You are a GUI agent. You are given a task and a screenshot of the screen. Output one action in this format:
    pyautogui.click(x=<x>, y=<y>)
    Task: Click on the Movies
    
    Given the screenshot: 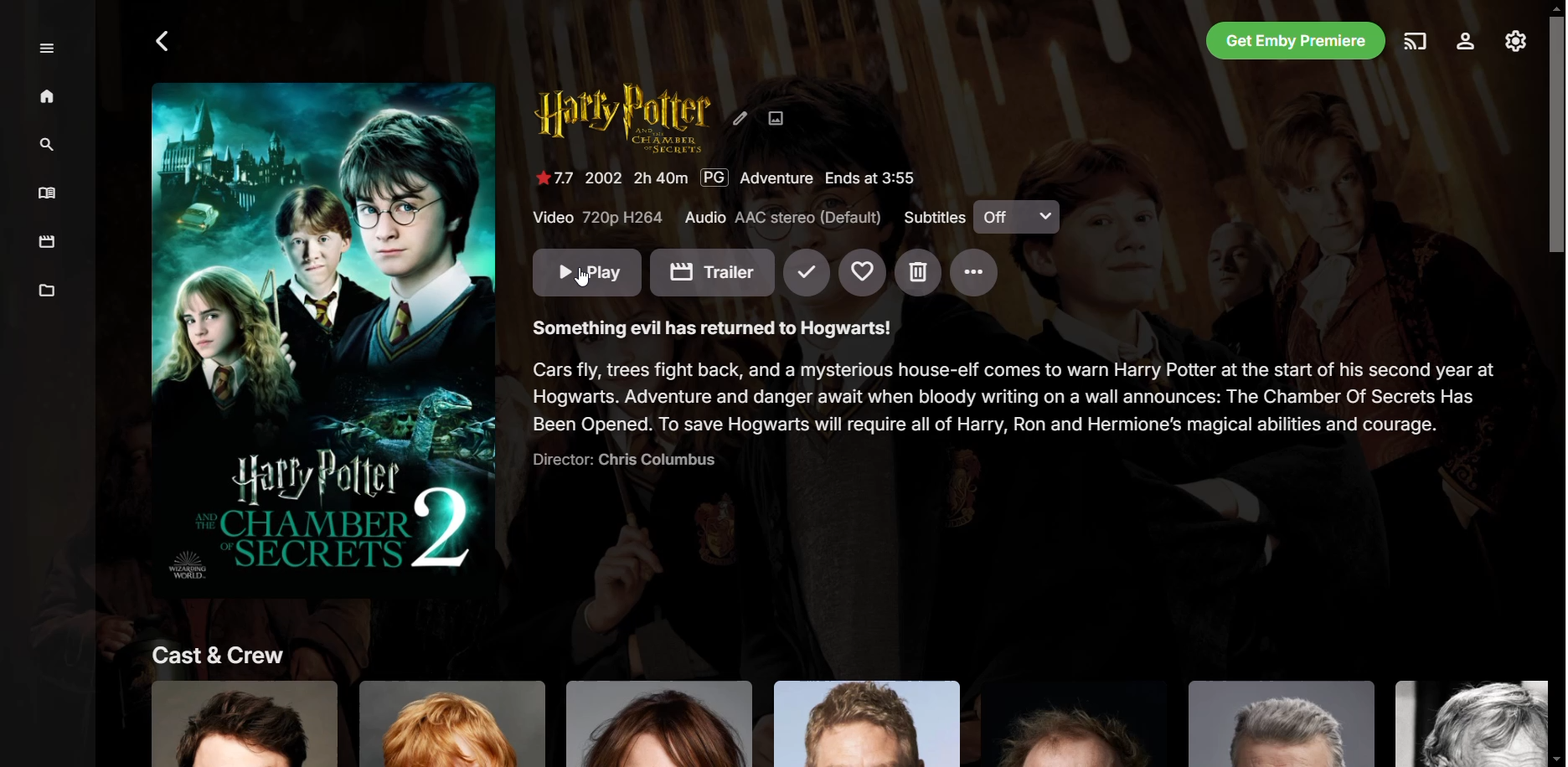 What is the action you would take?
    pyautogui.click(x=48, y=244)
    